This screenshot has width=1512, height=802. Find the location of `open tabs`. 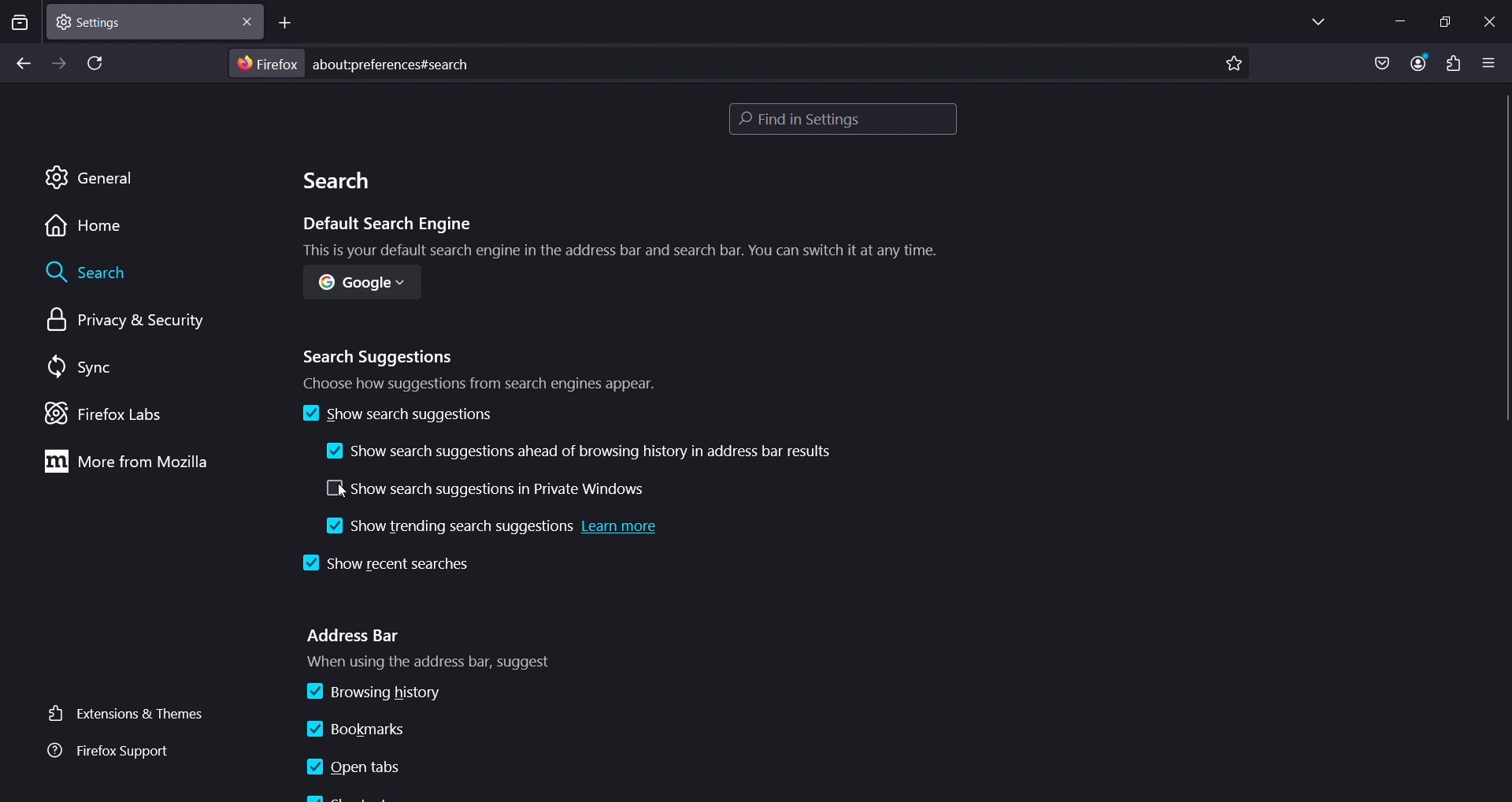

open tabs is located at coordinates (354, 767).